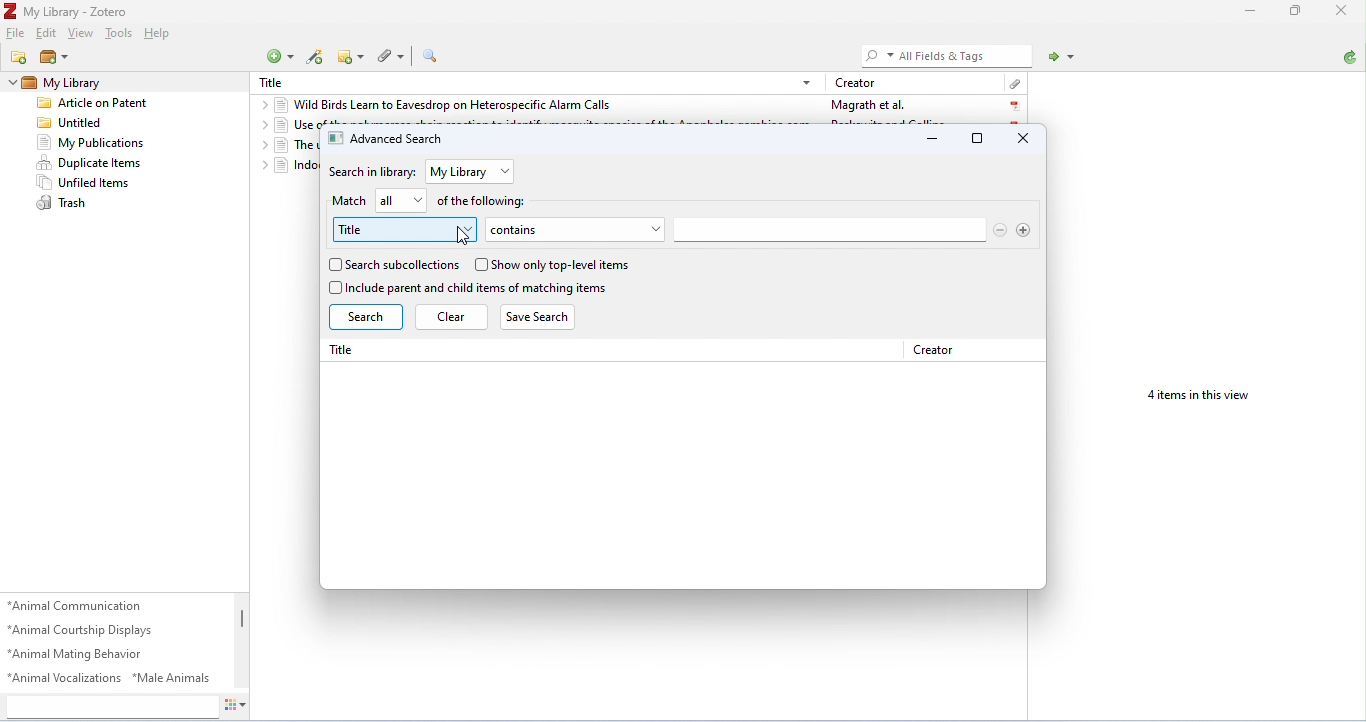 The width and height of the screenshot is (1366, 722). What do you see at coordinates (1025, 139) in the screenshot?
I see `close` at bounding box center [1025, 139].